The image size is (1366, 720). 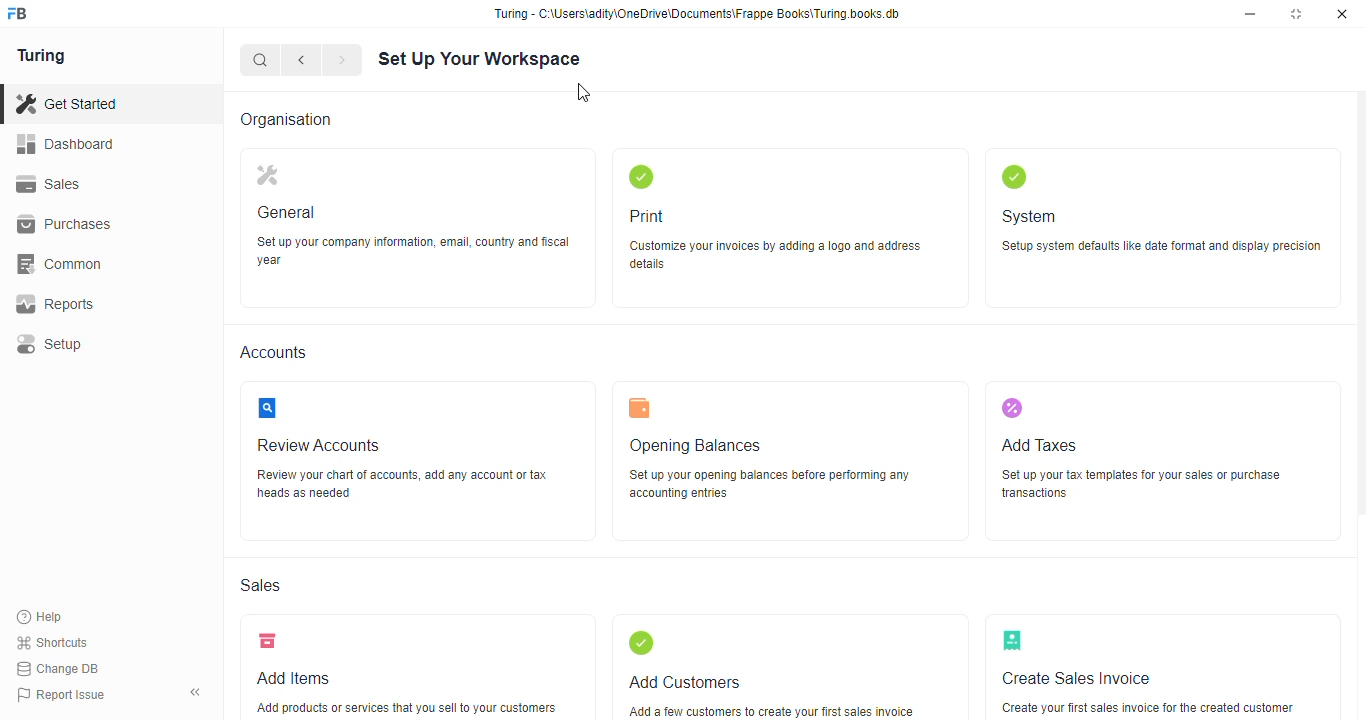 I want to click on Add Taxes Set up your tax templates for your sales or purchase transactions, so click(x=1166, y=461).